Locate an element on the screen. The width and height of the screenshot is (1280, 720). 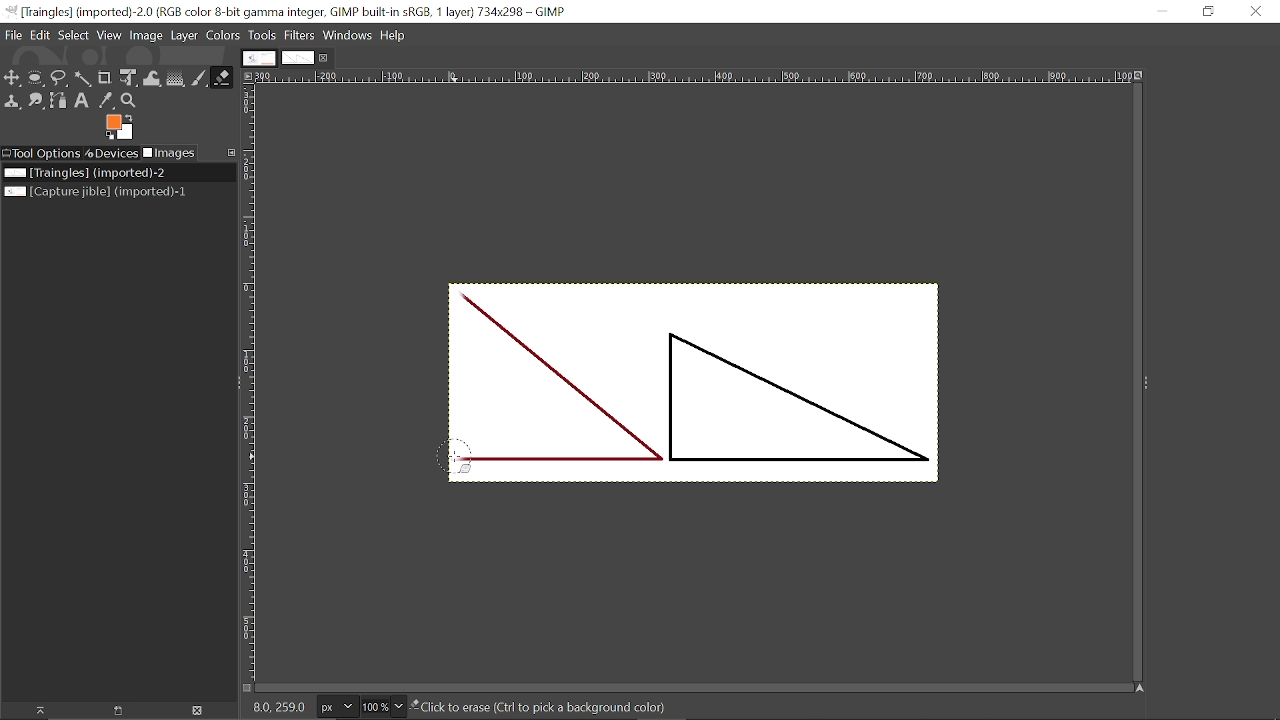
Unified transform tool is located at coordinates (127, 78).